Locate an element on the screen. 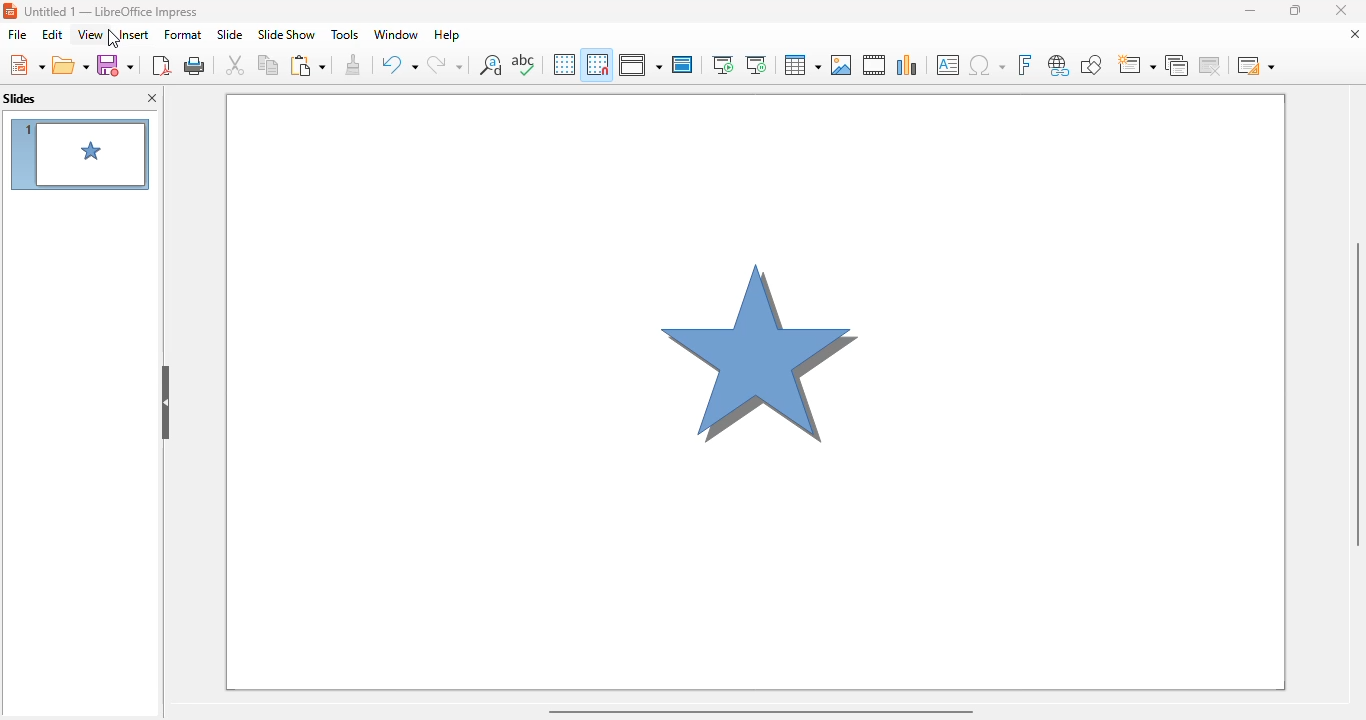 The width and height of the screenshot is (1366, 720). show draw functions is located at coordinates (1091, 66).